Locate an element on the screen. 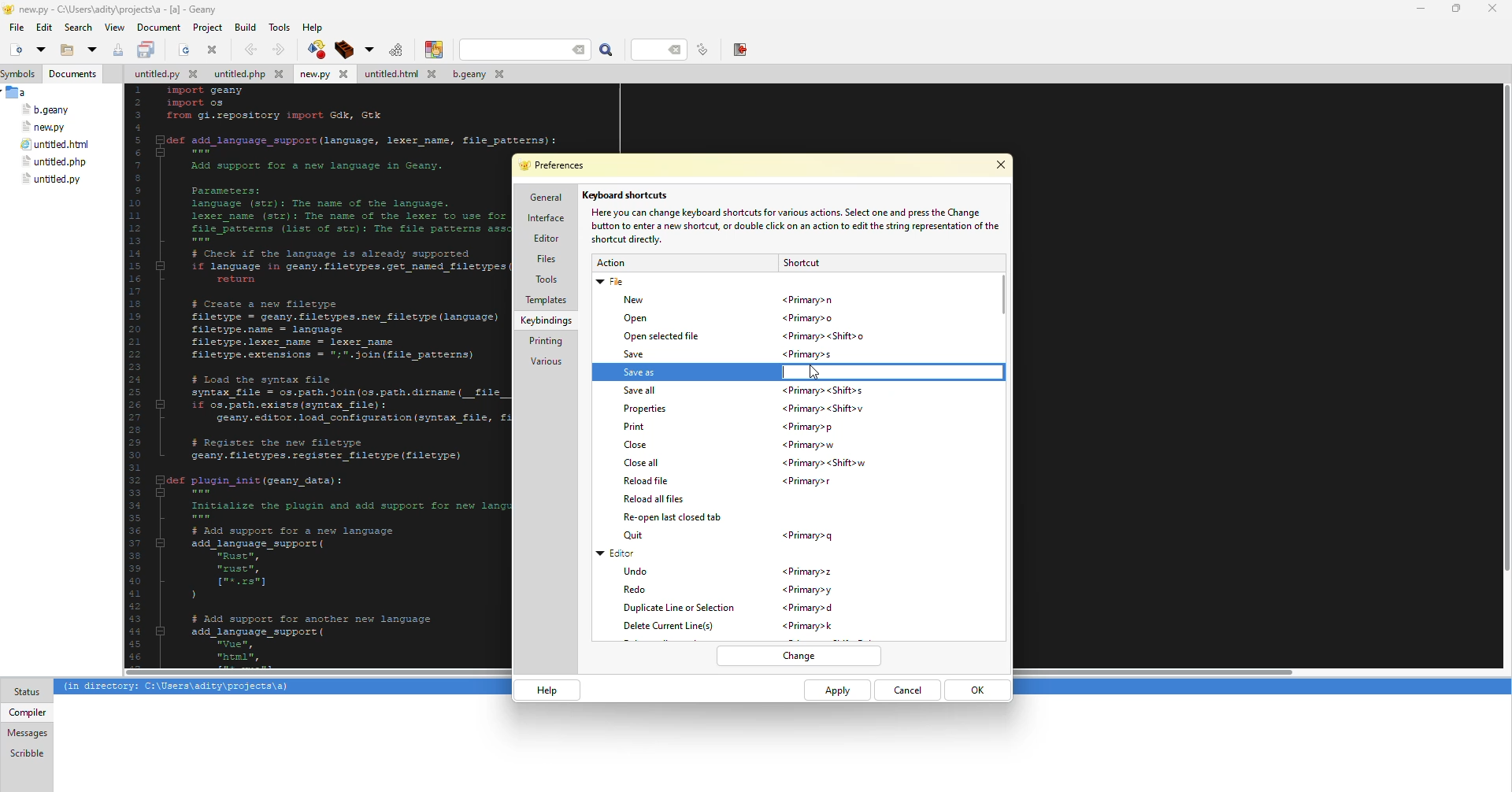 This screenshot has width=1512, height=792. document is located at coordinates (158, 28).